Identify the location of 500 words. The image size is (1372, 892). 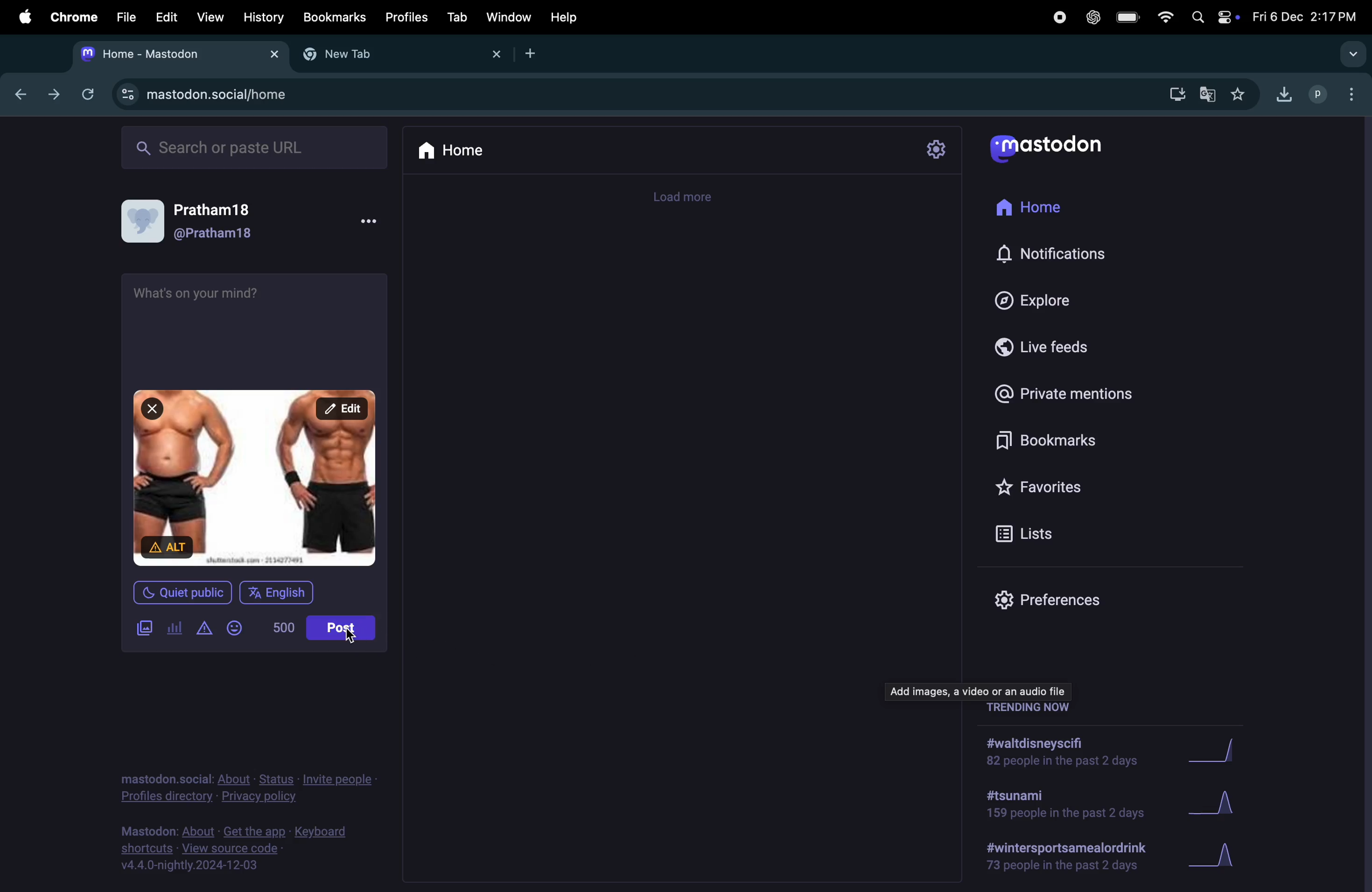
(283, 627).